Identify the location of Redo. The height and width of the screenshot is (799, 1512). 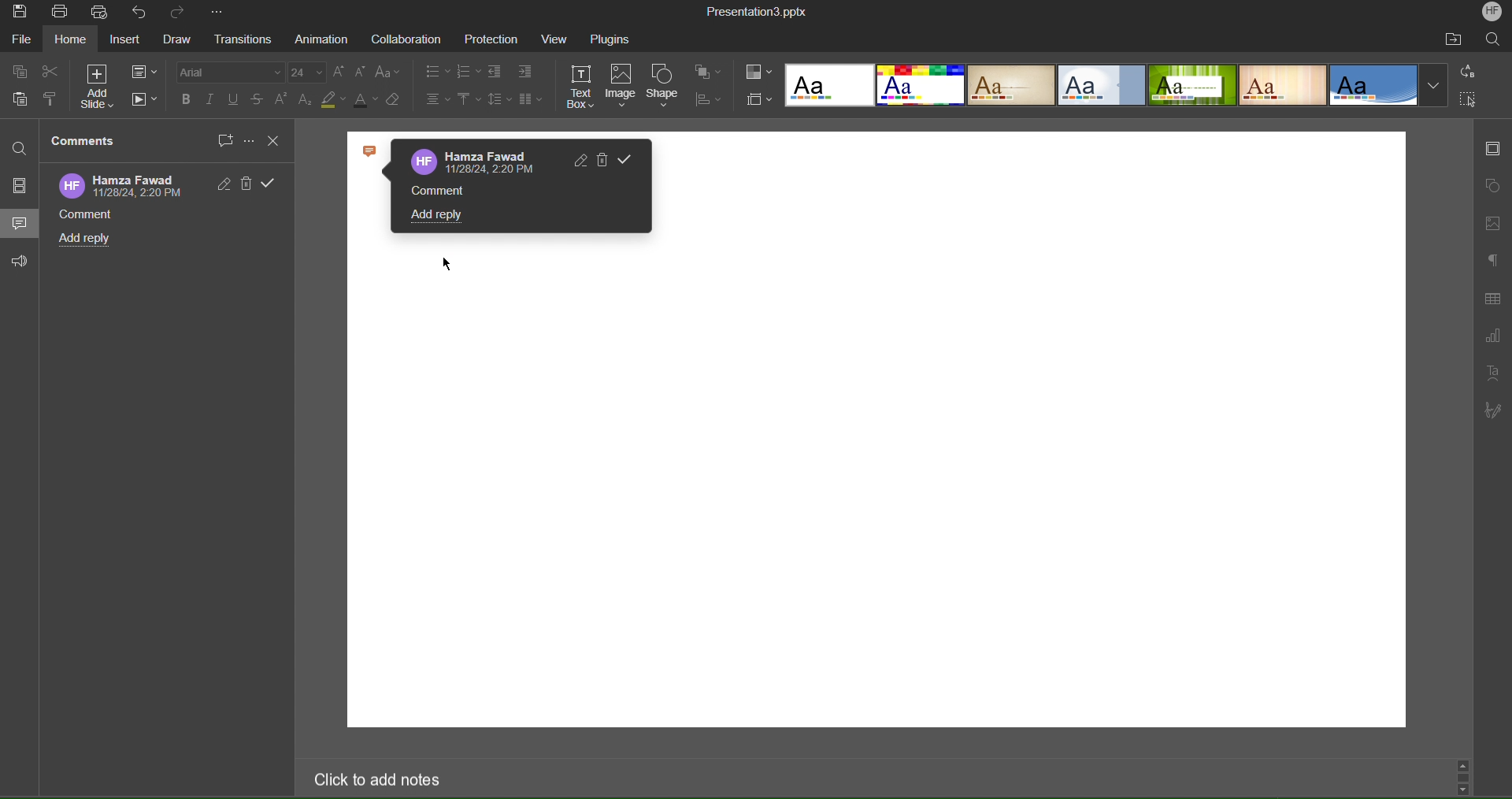
(180, 14).